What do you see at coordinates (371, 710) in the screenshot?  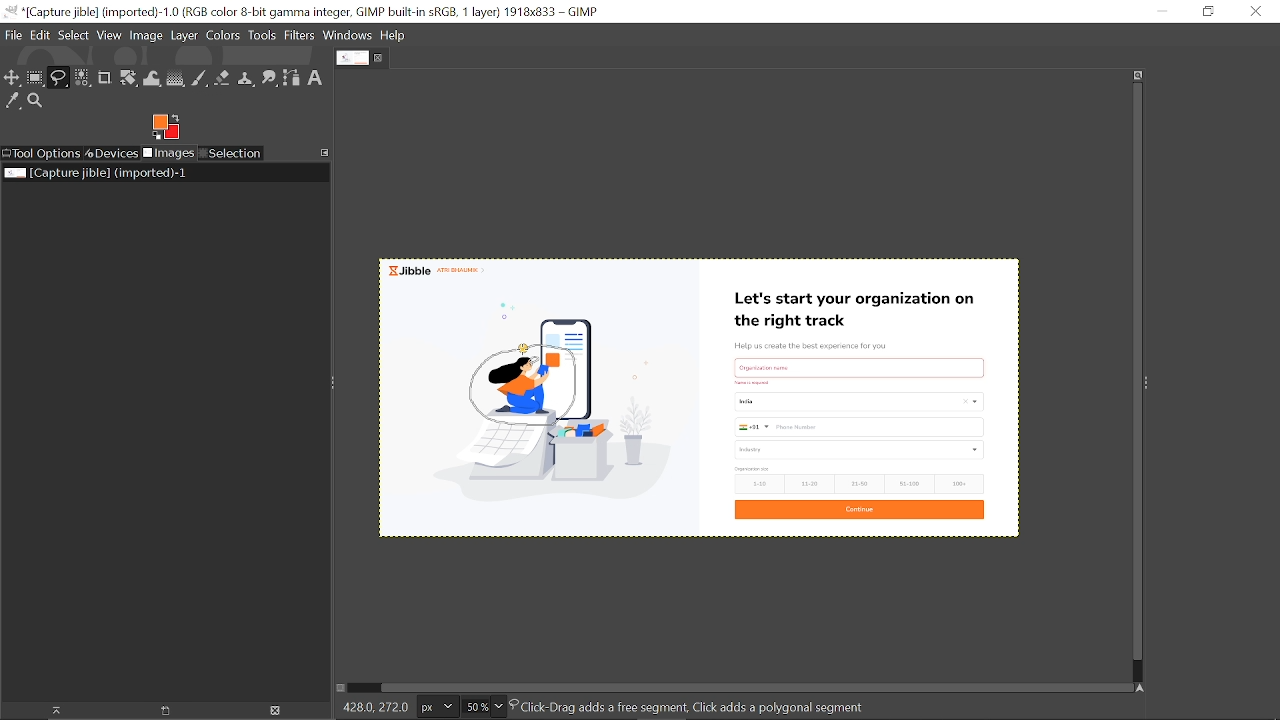 I see `428.0,272.0` at bounding box center [371, 710].